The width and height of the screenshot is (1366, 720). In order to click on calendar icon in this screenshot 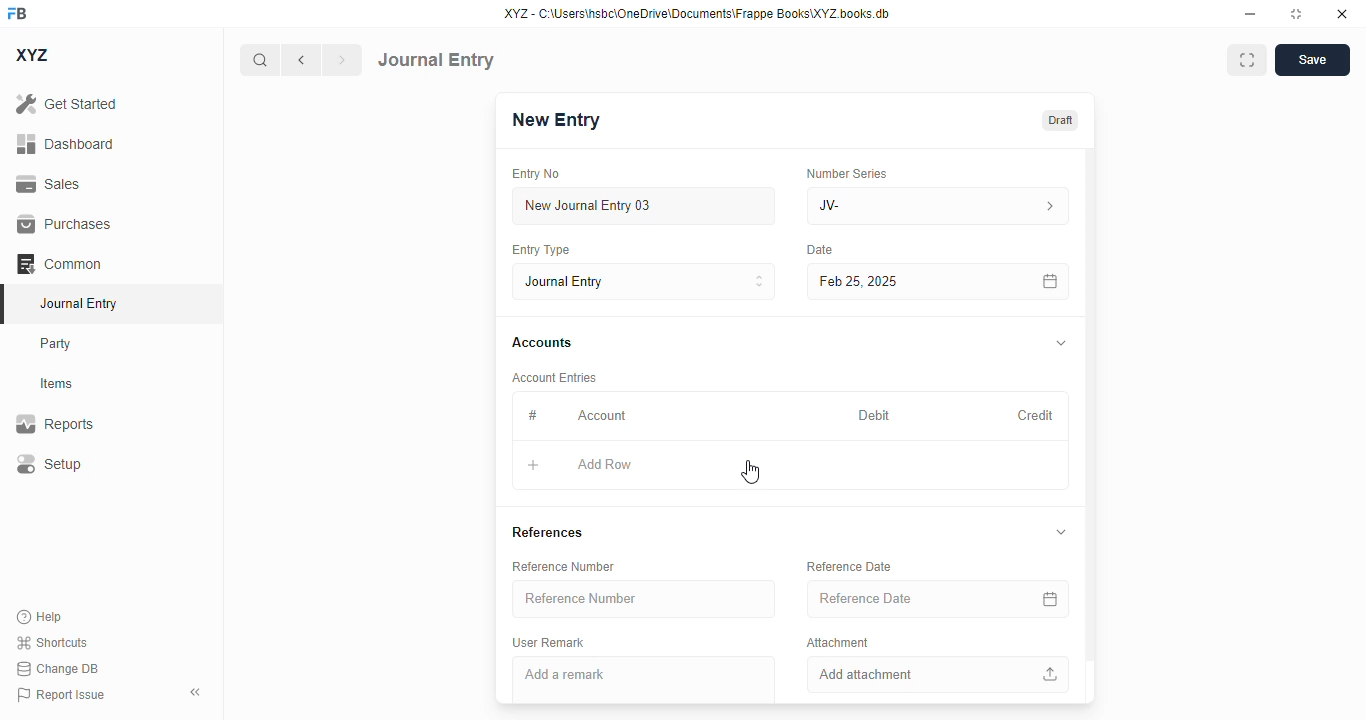, I will do `click(1051, 599)`.